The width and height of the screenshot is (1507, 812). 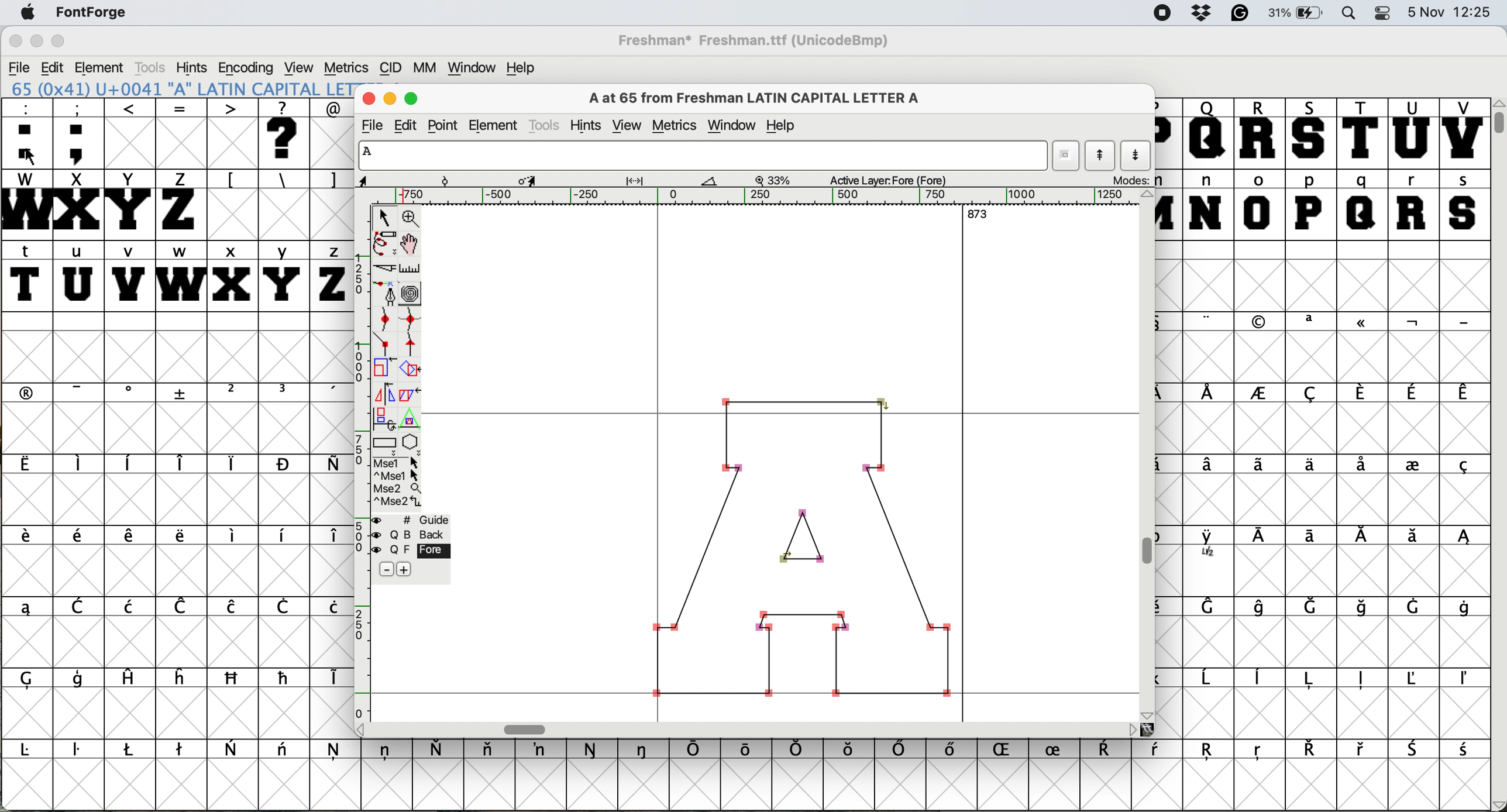 I want to click on symbol, so click(x=80, y=681).